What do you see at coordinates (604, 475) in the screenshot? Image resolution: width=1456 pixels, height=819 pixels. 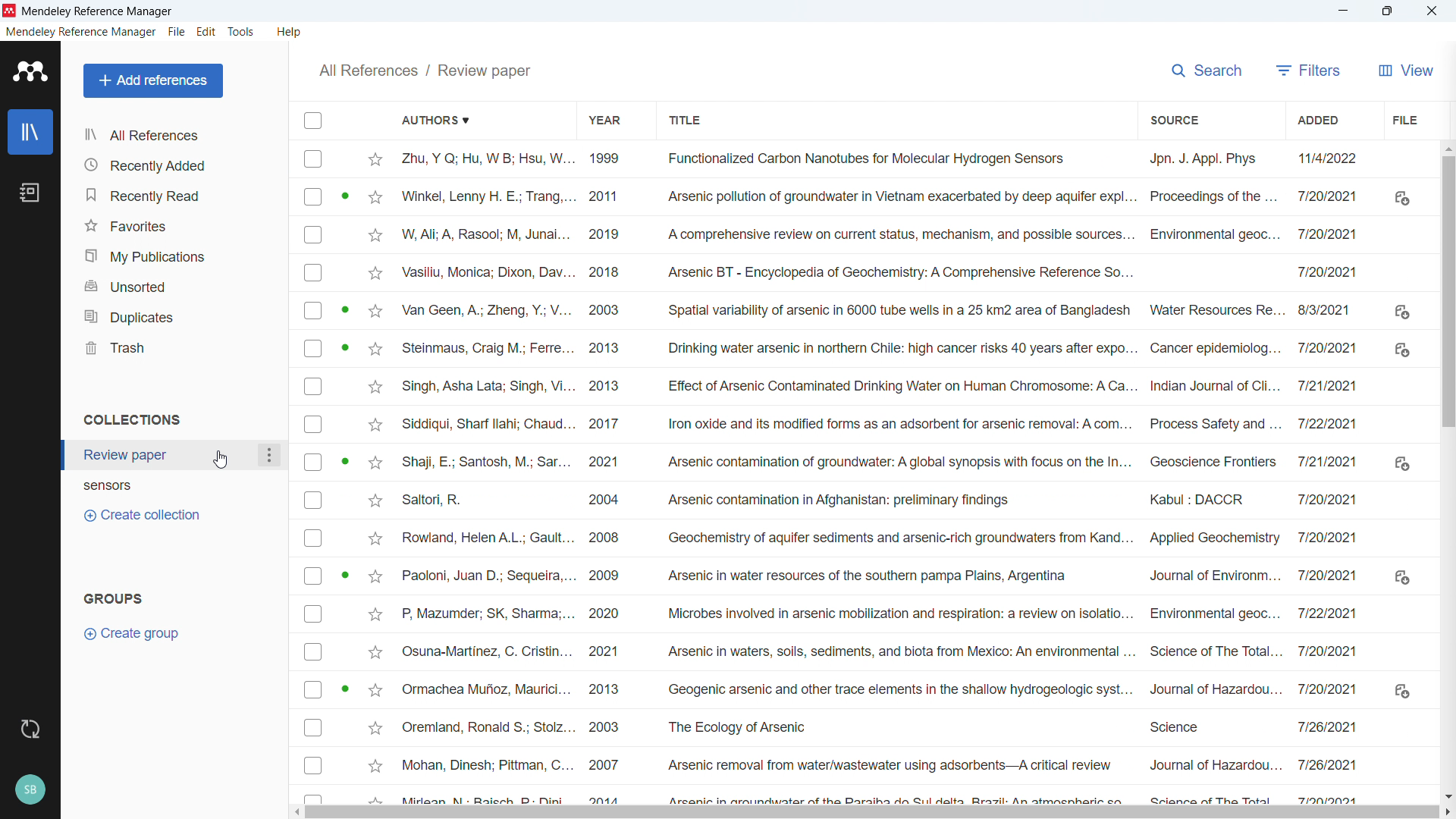 I see `Year of publication of individual entries ` at bounding box center [604, 475].